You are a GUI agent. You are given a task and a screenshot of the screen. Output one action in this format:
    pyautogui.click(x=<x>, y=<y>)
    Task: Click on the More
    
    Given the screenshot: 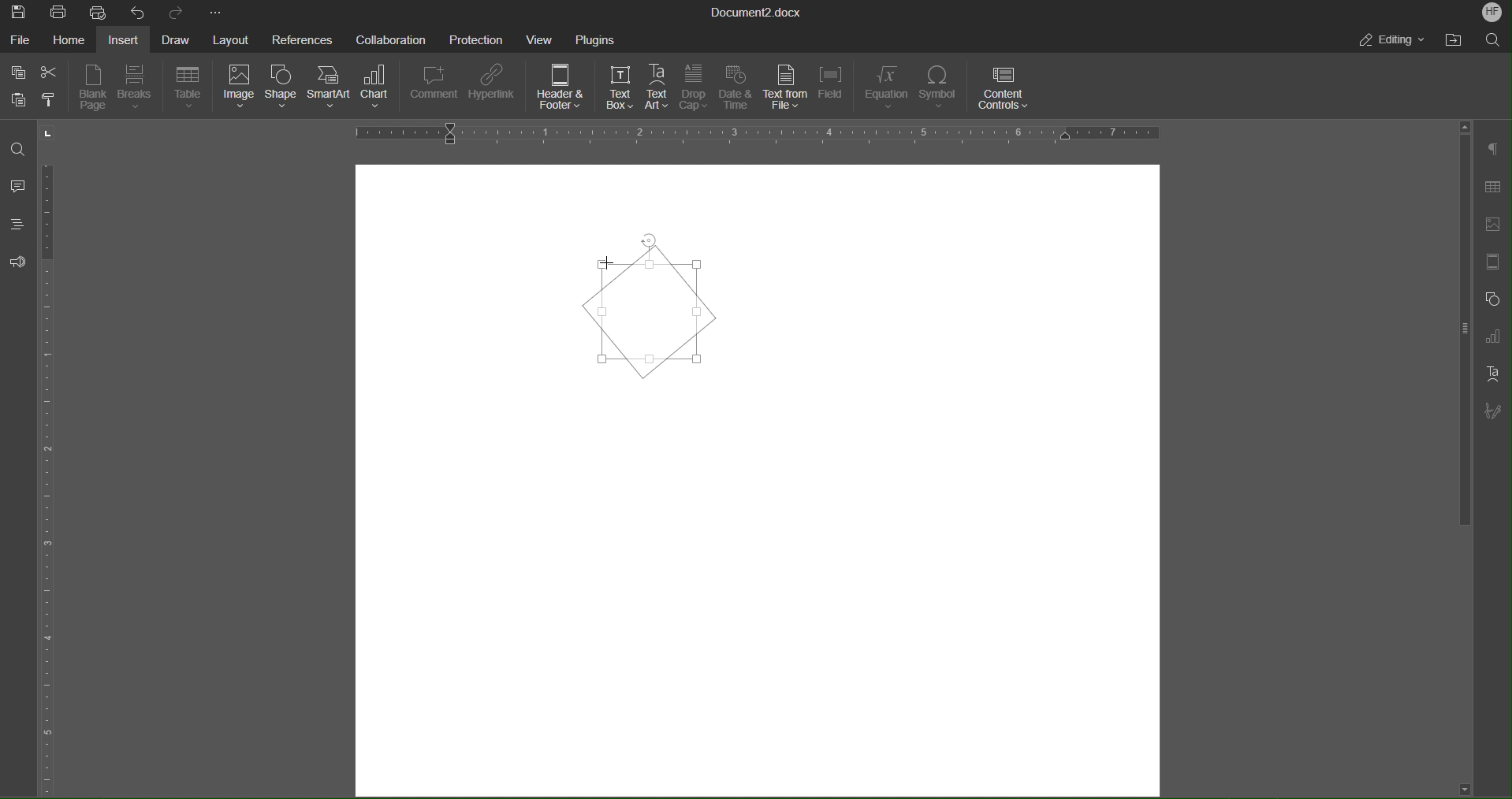 What is the action you would take?
    pyautogui.click(x=216, y=11)
    